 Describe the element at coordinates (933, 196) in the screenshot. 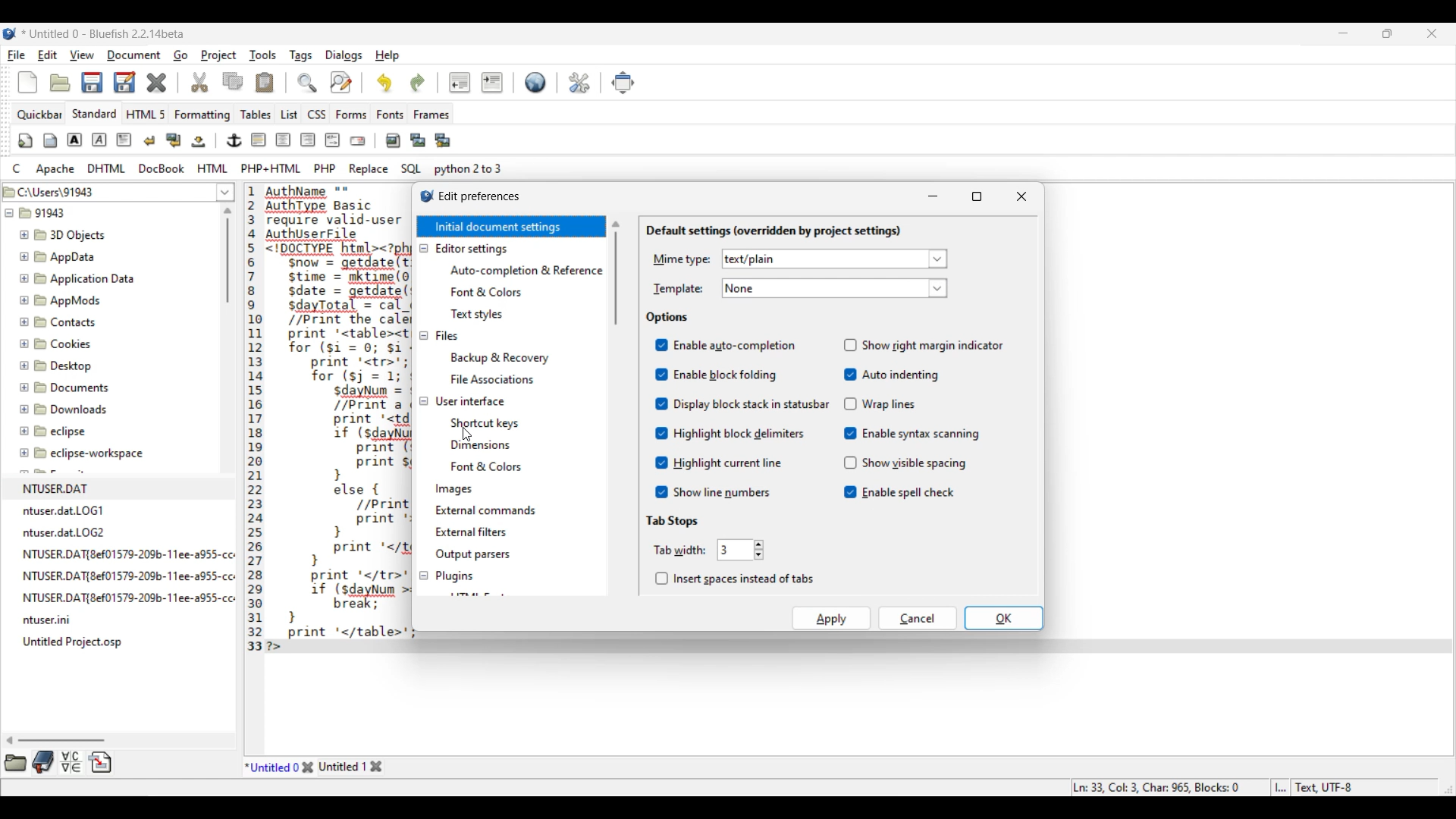

I see `Minimize` at that location.